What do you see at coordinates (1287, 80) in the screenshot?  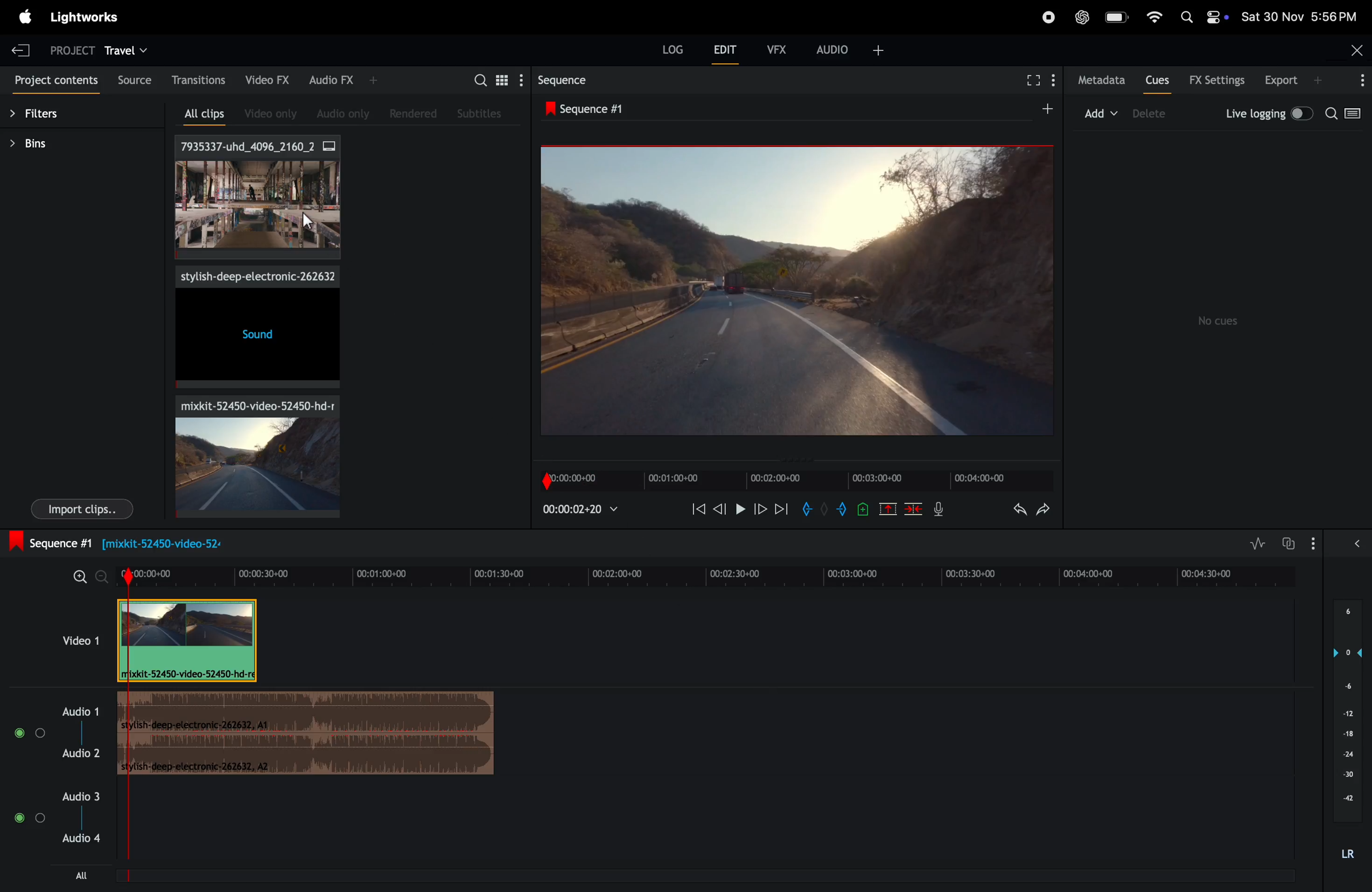 I see `export` at bounding box center [1287, 80].